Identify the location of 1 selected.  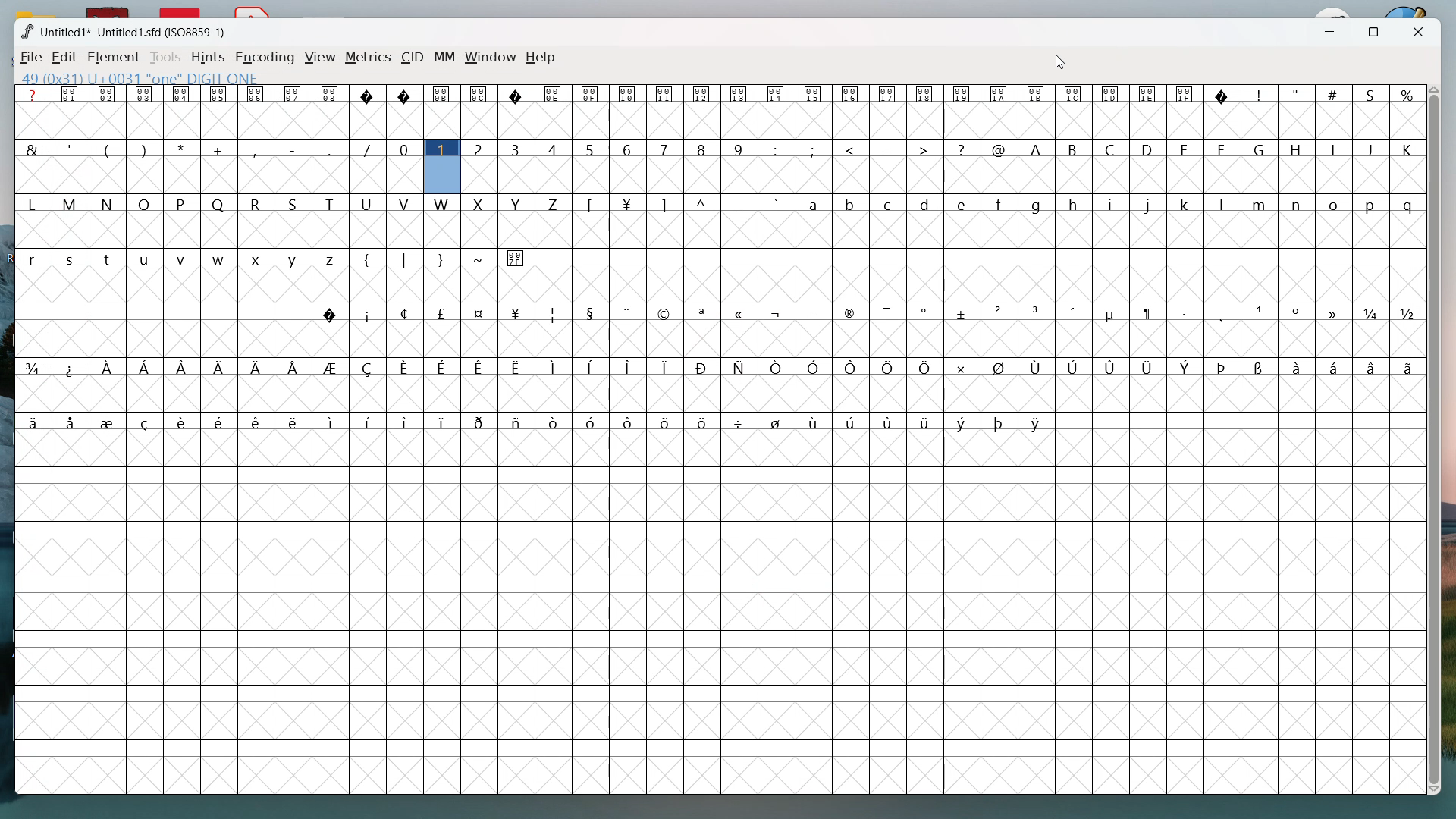
(441, 168).